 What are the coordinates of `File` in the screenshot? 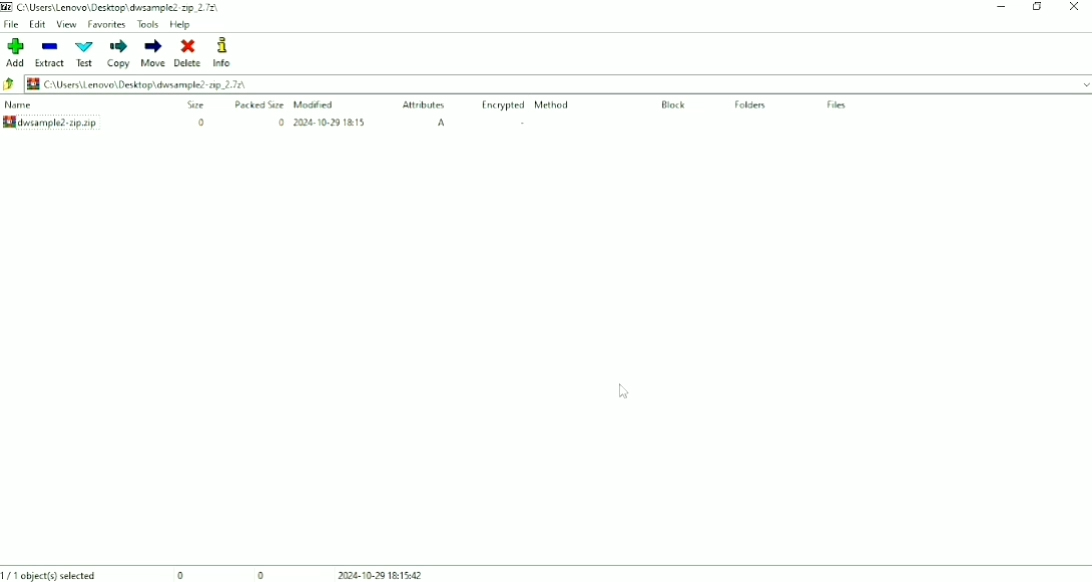 It's located at (12, 23).